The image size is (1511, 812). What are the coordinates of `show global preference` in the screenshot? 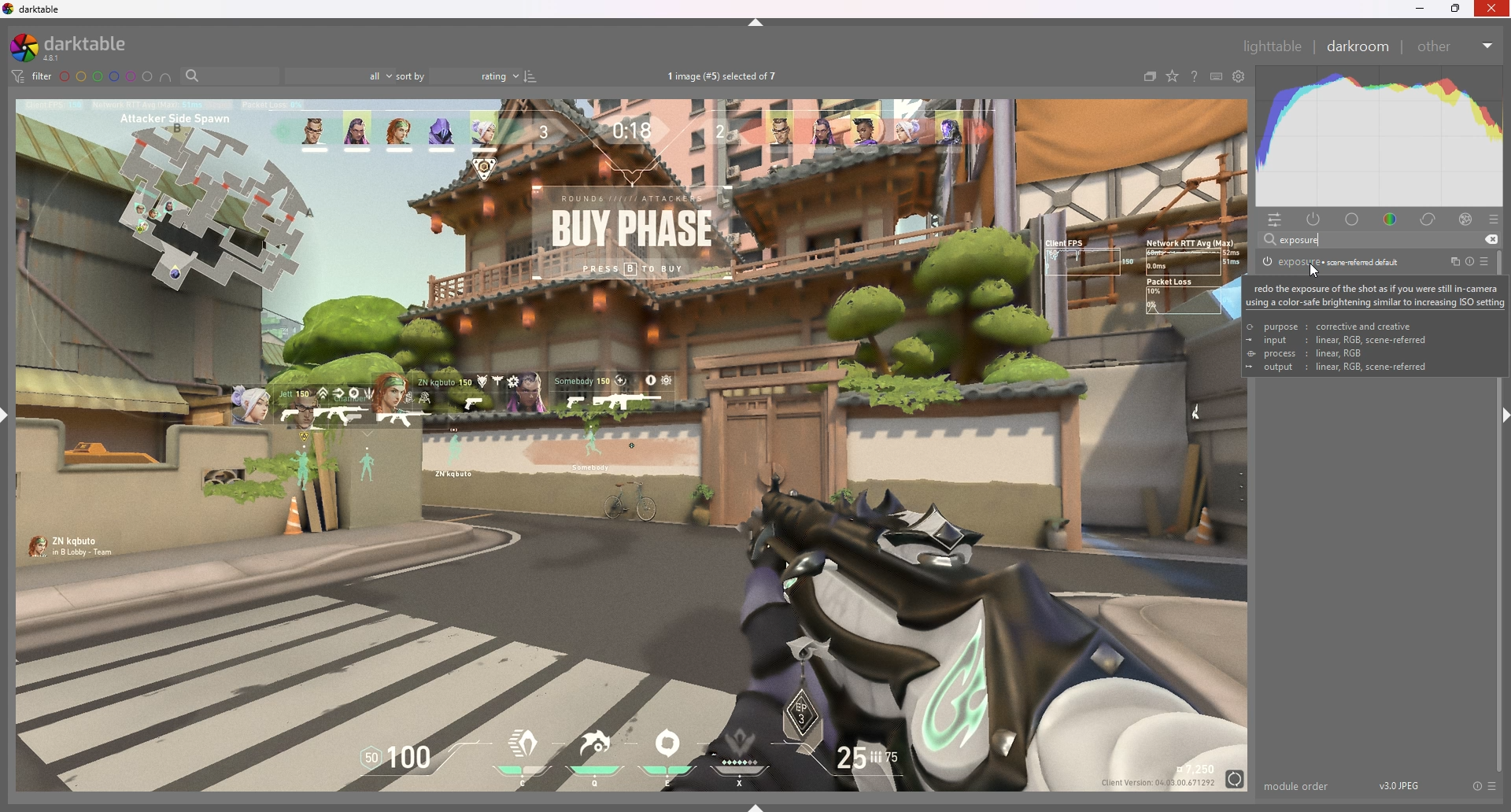 It's located at (1238, 76).